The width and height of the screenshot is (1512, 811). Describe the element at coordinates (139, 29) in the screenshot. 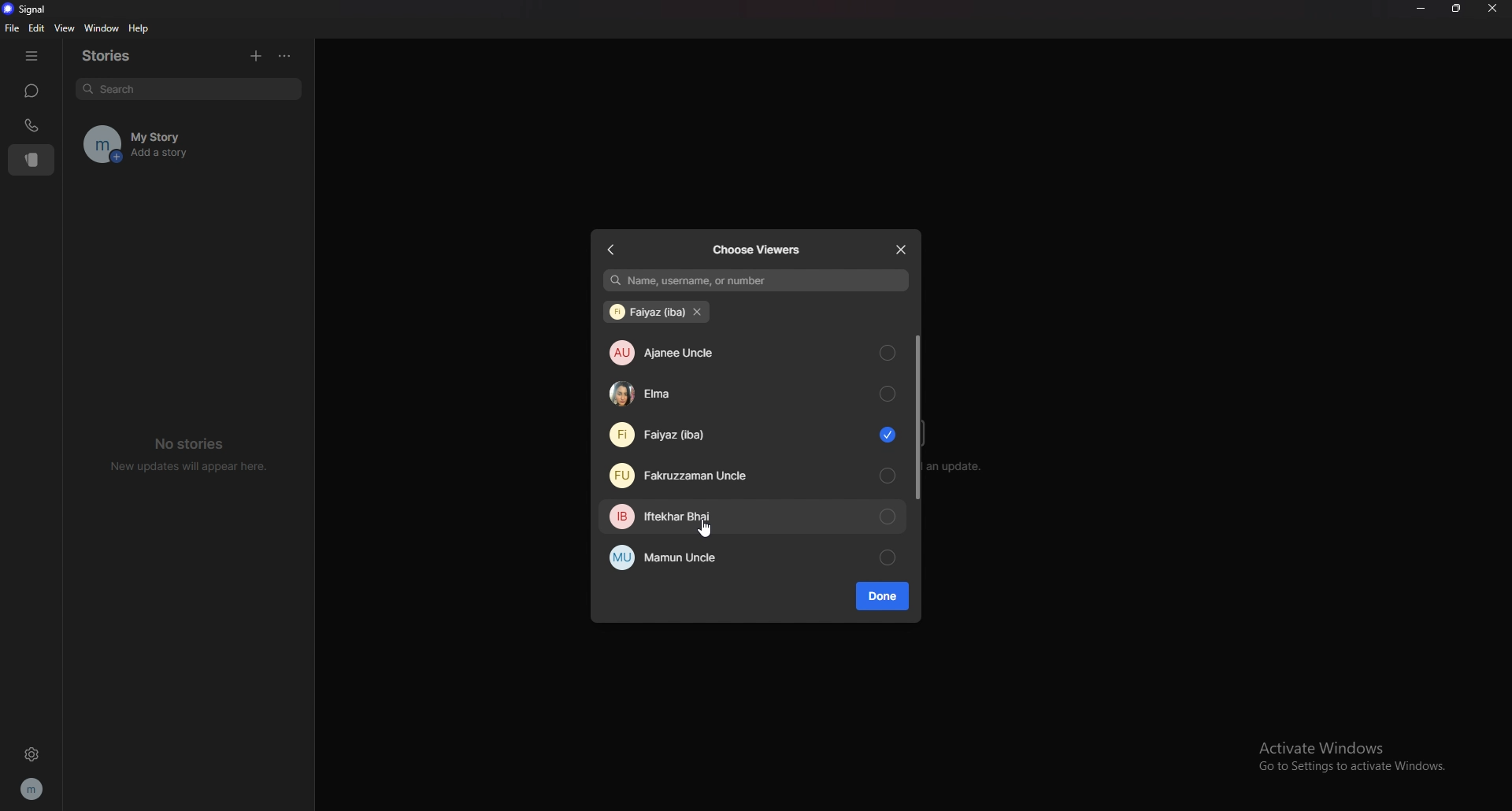

I see `help` at that location.